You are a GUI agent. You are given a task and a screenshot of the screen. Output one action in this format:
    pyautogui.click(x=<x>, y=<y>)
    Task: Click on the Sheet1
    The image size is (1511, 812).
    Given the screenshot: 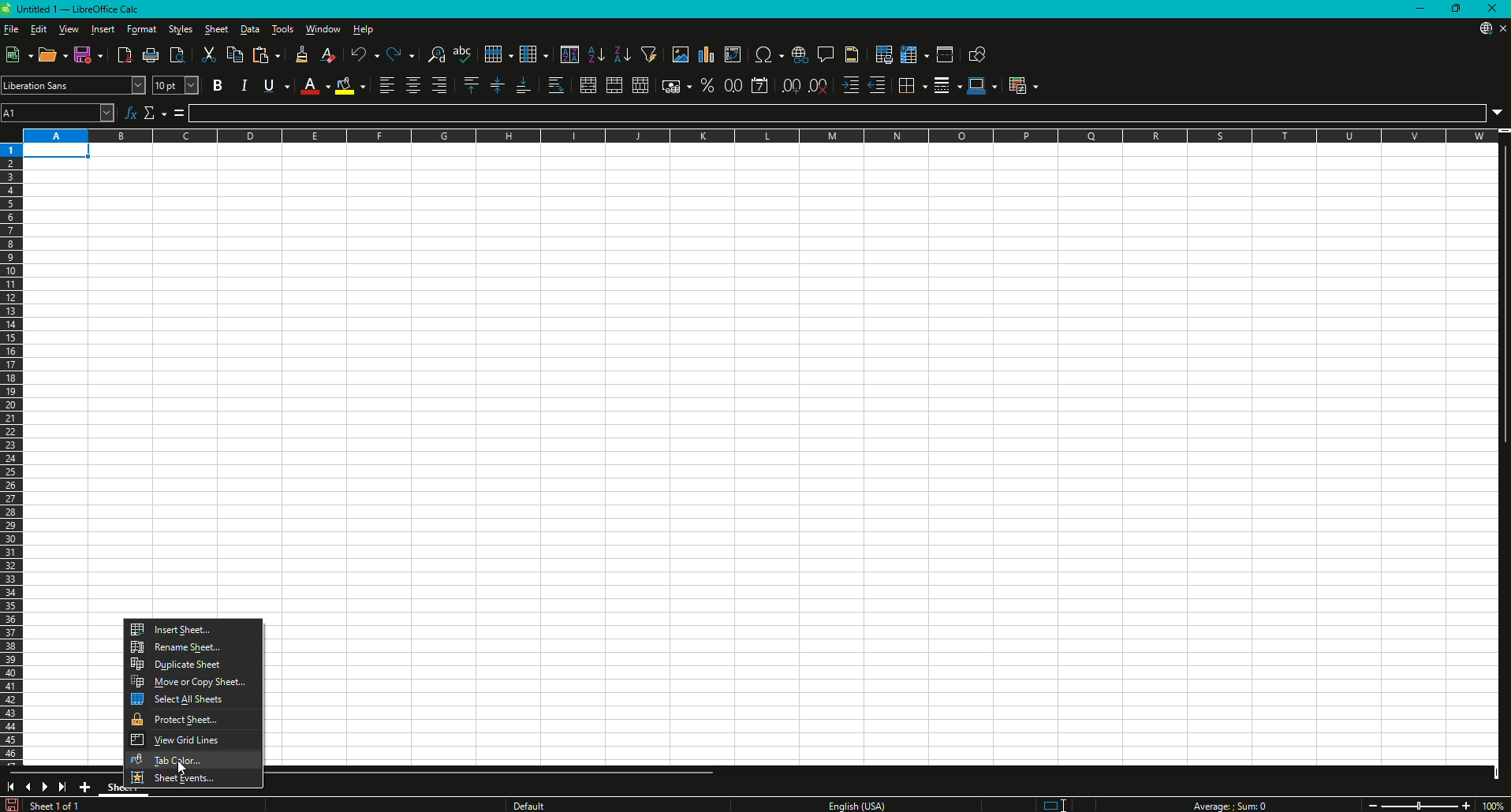 What is the action you would take?
    pyautogui.click(x=110, y=788)
    